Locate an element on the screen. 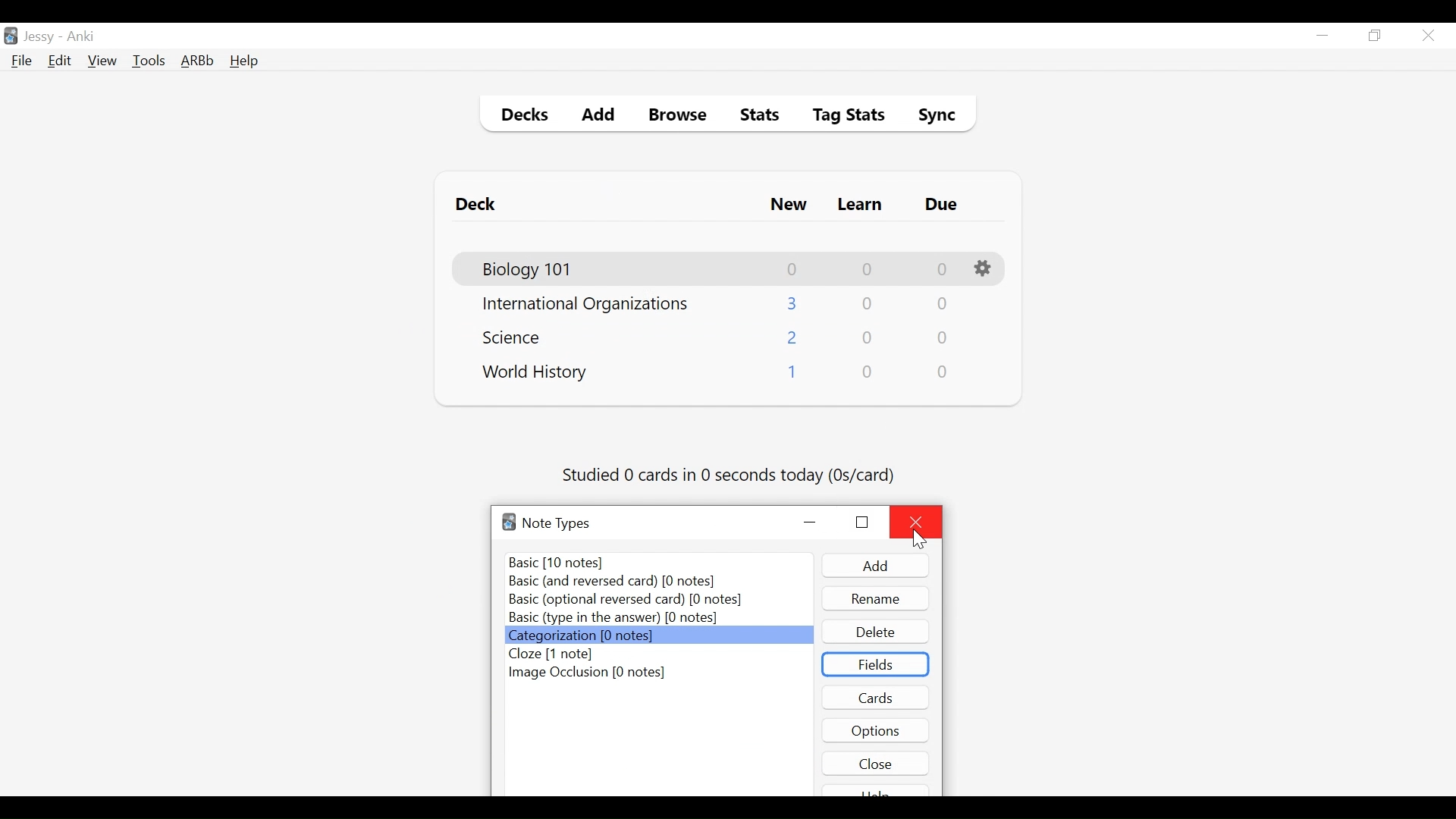  Deck Name is located at coordinates (535, 373).